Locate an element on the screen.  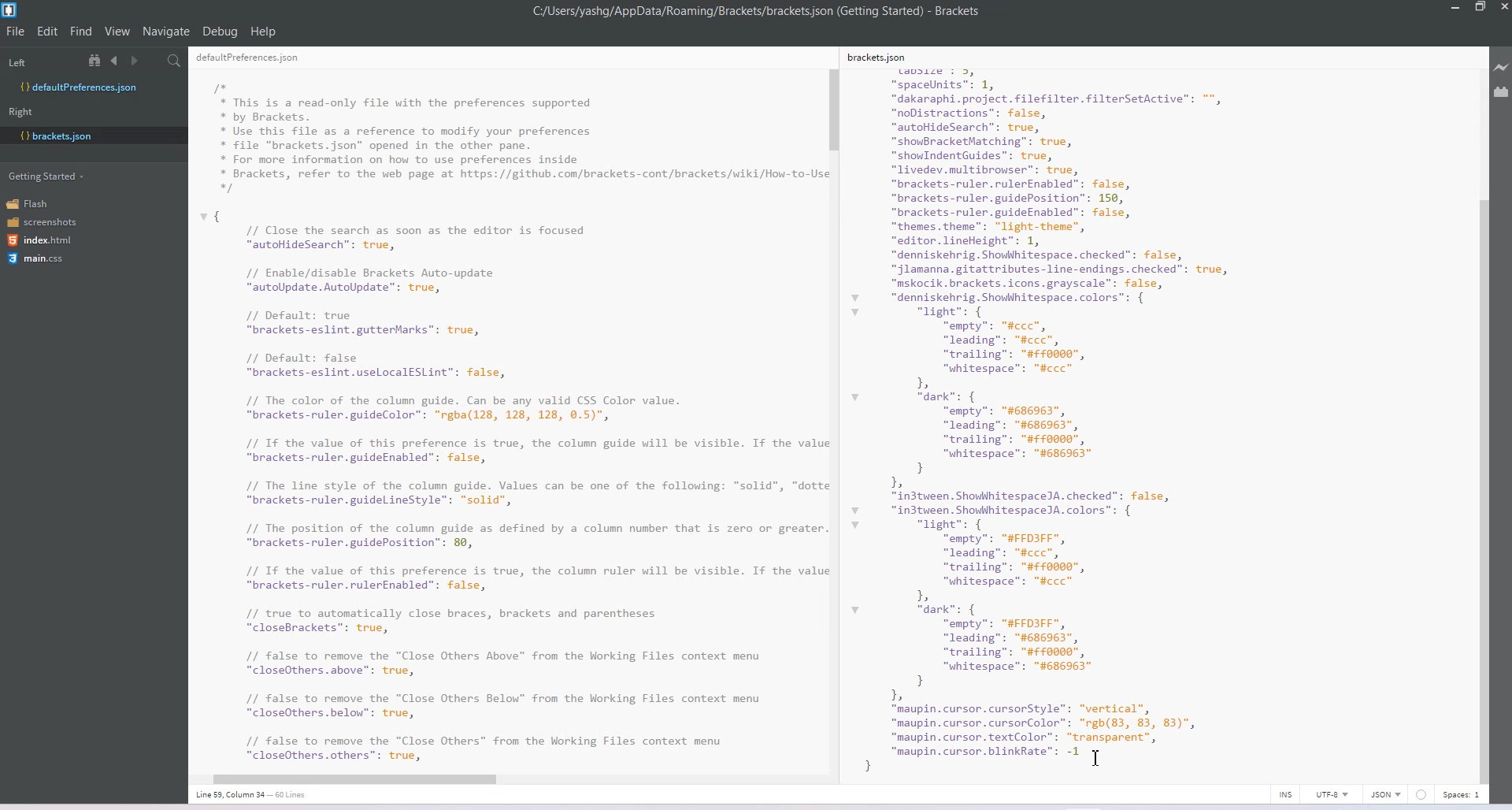
kets. son
size : 3,
“spacelnits": 1,
“dakaraphi.project. filefilter. filterSetActive”: "*,
“noDistractions”: false,
“autohideSearch”: true,
“showBracketMatching”: true,
“showIndentGuides”: true,
“livedev.multibrowser”: true,
“brackets-ruler.rulerEnabled": false,
“brackets-ruler.guidePosition”: 150,
“brackets-ruler.guideEnabled": false,
“themes theme": "light-theme",
“editor. lineHeight": 1,
“denniskehrig. Showhhitespace. checked": false,
“jlamanna.gitattributes-line-endings. checked": true,
“mskocik.brackets.icons.grayscale": false,
“denniskehrig. Showhitespace. colors”: {
“light”: {
“empty”: "#ccc”,
“leading”: "#ccc”,
“trailing”: "#0000",
“whitespace”: "#ccc”
b
“dark”: {
“empty”: "#686963",
["leading”: "#686963",
“trailing”: "#0000",
“whitespace”: "#686963"
}
Ia
“in3tween. ShowhhitespaceJA. checked": false,
“in3tween. ShowhhitespaceJA. colors”: {
“light”: {
“empty”: "#FFDIFF",
“leading”: "#ccc”,
“trailing”: "#0000",
“whitespace”: "#ccc”
bh
“dark”: {
“empty”: "#FFDIFF",
“leading”: "#686963",
“trailing”: "#0000",
“whitespace”: "#686963"
}
b
“maupin. cursor. cursorStyle”: “vertical”,
“maupin. cursor. cursorColor™: "rgh(83, 83, 83)",
“maupin.cursor.textColor”: “transparent”,
“maupin. cursor. blinkRate": 1000 |
: is located at coordinates (1076, 411).